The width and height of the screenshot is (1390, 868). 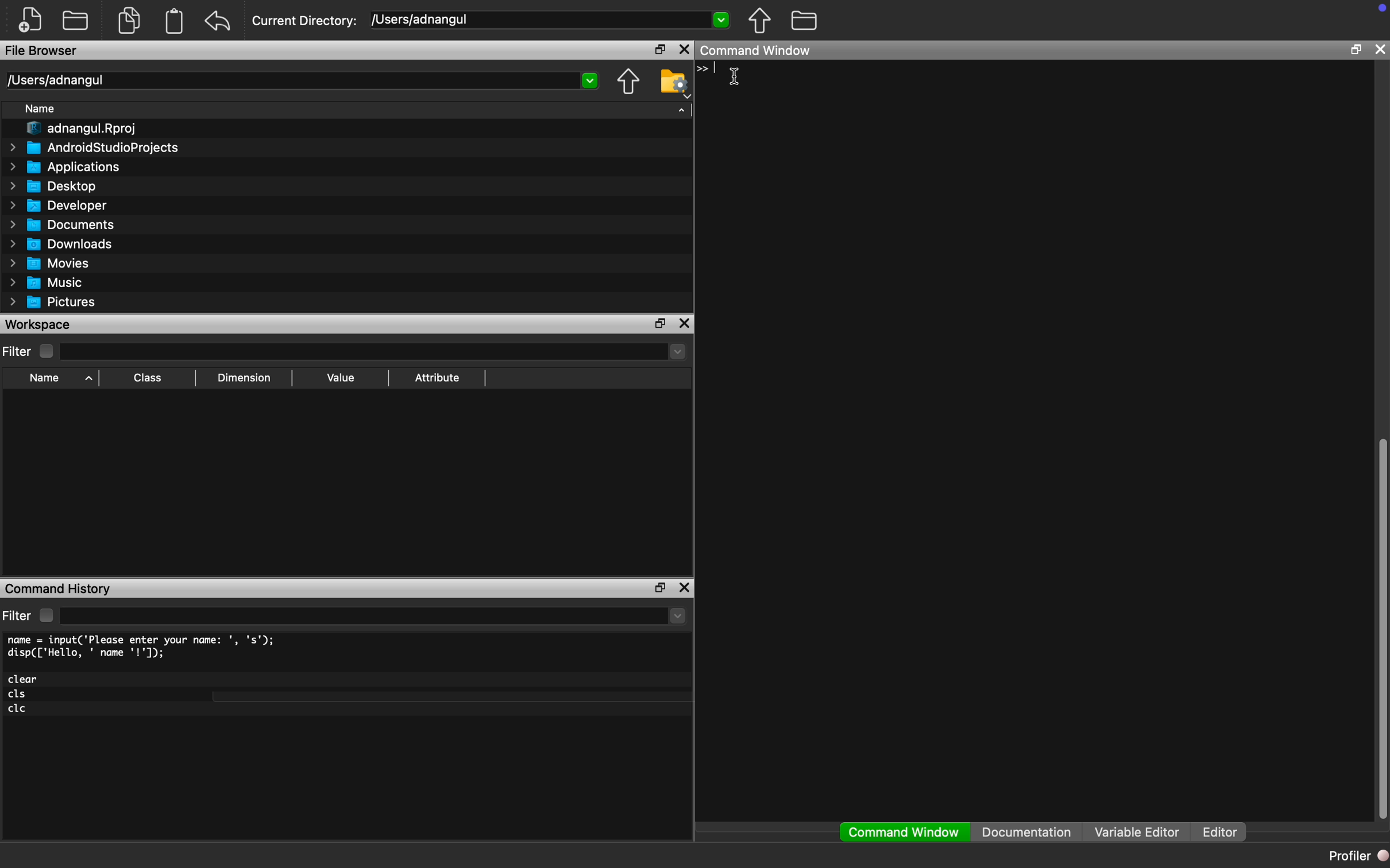 I want to click on Value, so click(x=341, y=377).